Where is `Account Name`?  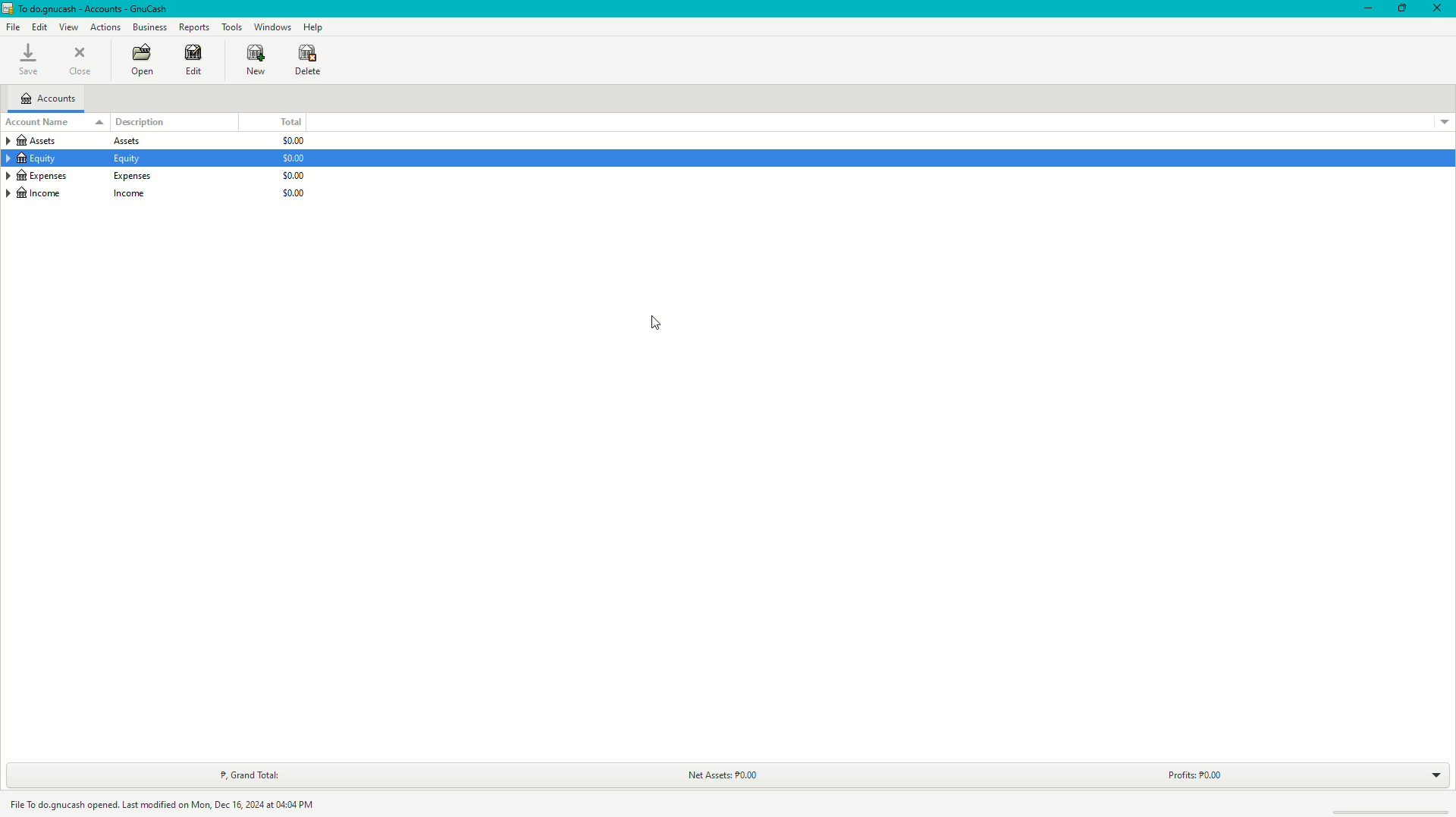
Account Name is located at coordinates (55, 122).